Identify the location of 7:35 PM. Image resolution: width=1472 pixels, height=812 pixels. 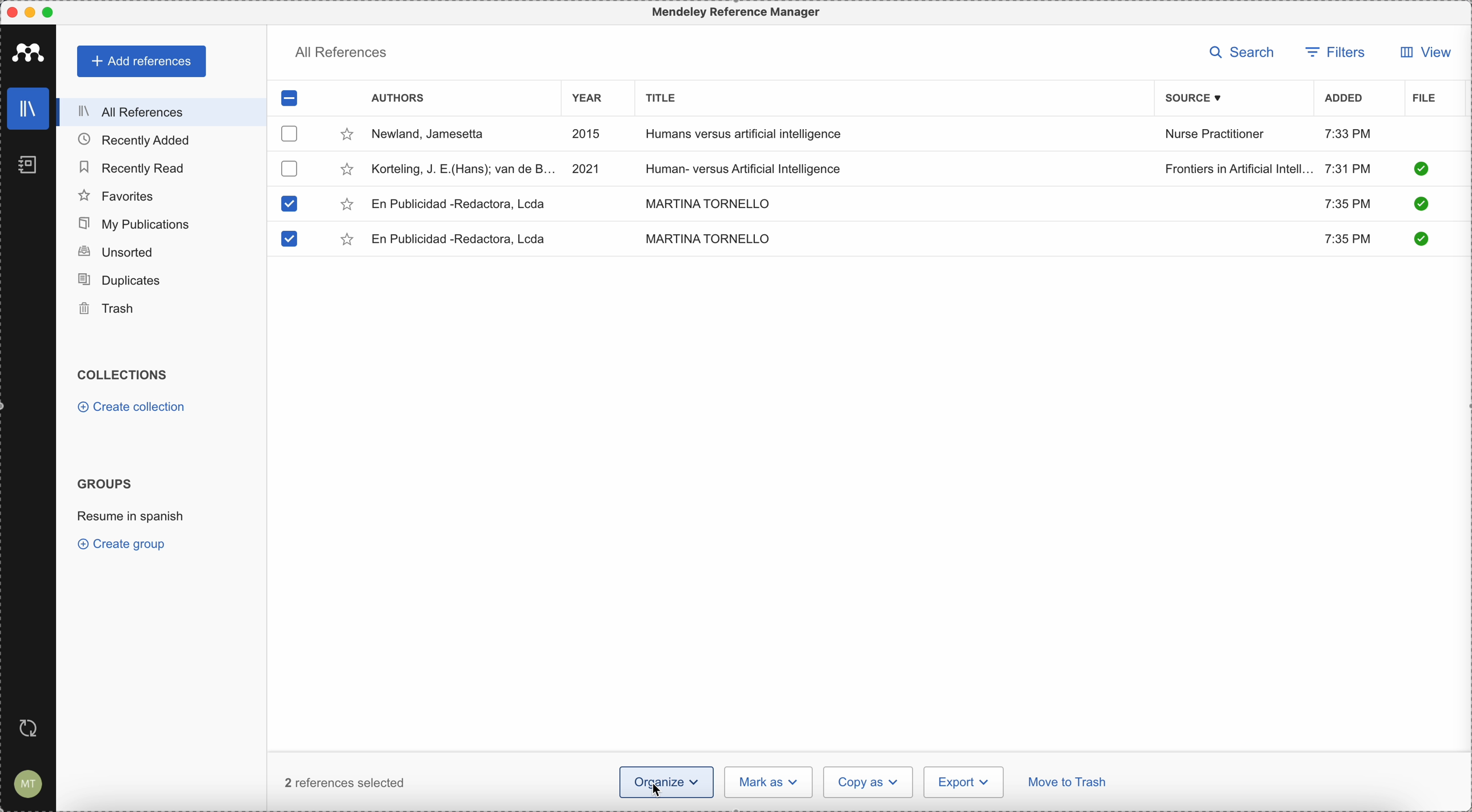
(1346, 202).